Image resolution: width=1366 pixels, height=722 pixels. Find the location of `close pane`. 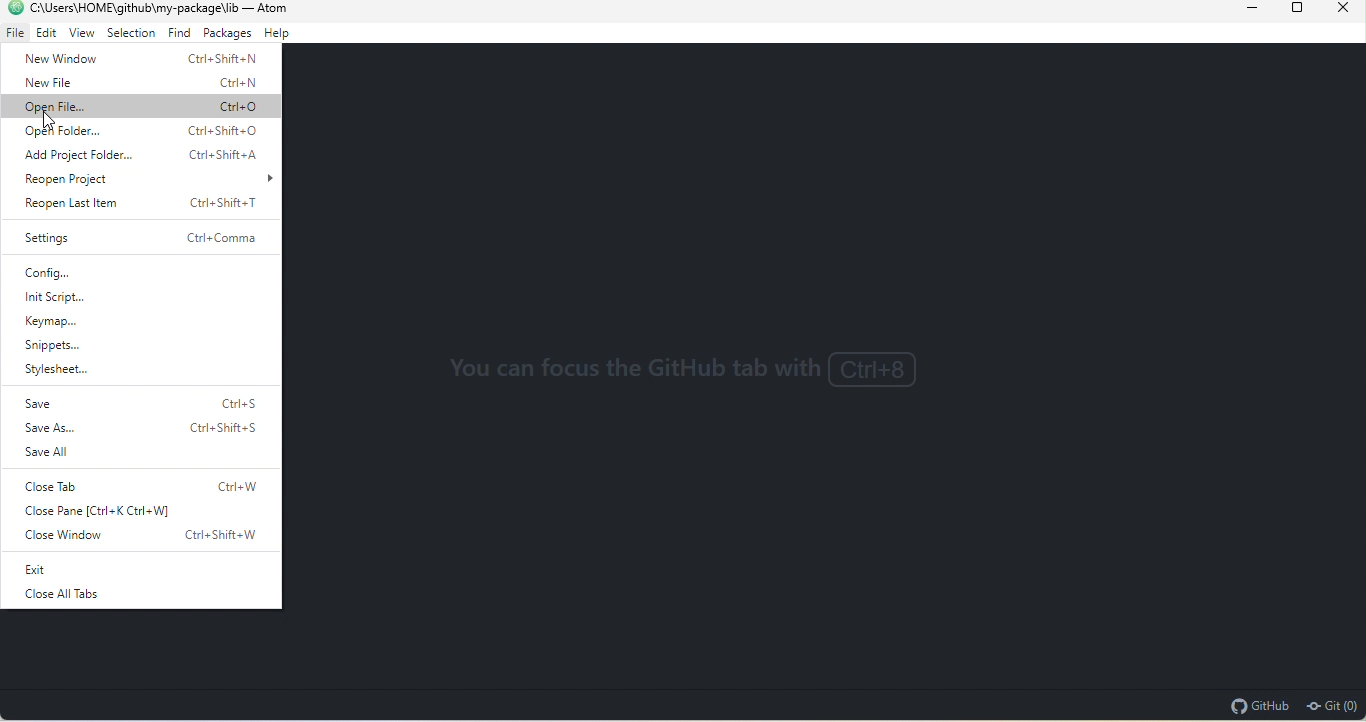

close pane is located at coordinates (108, 513).